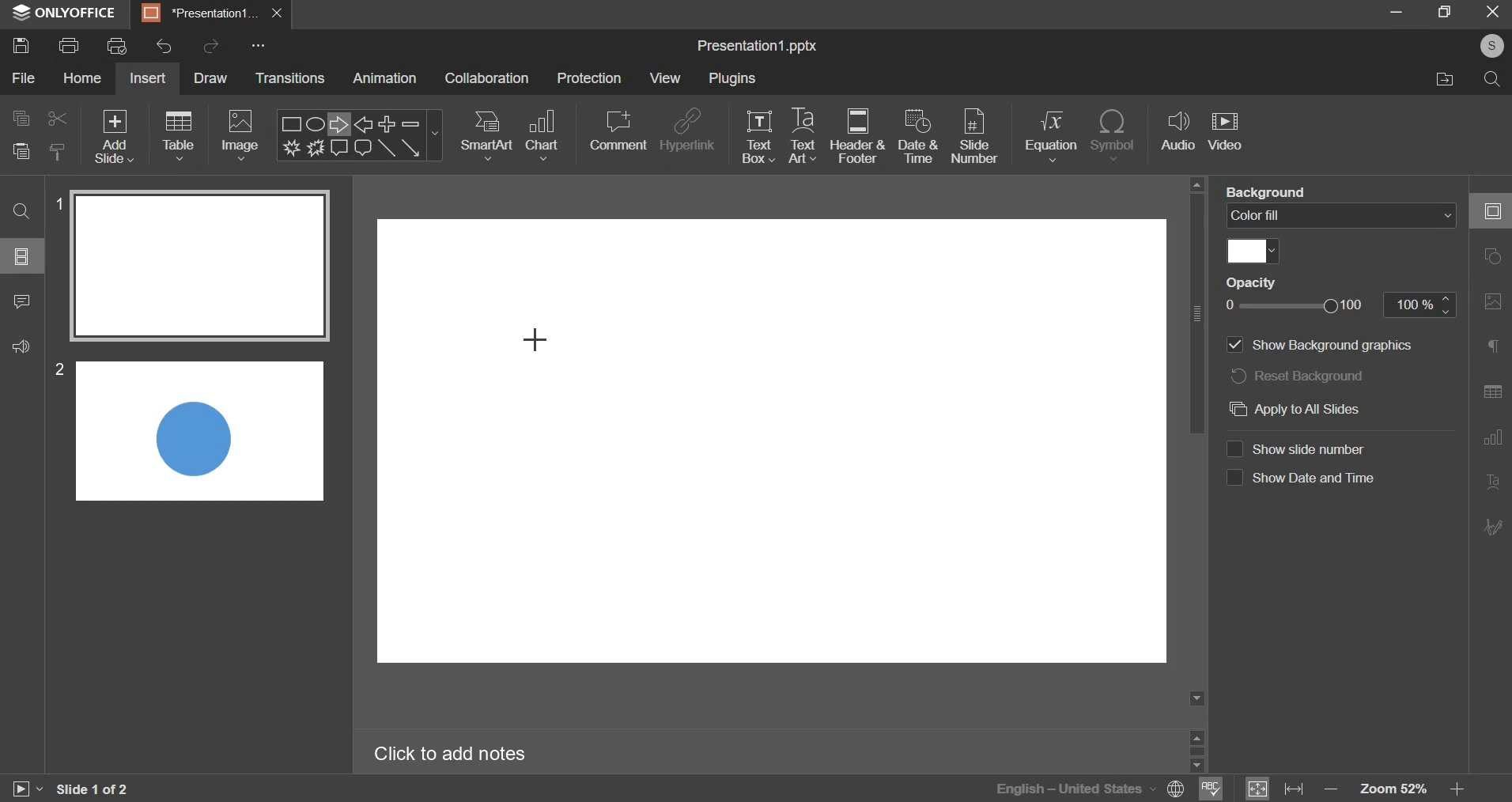  Describe the element at coordinates (1295, 409) in the screenshot. I see `apply to all slides` at that location.